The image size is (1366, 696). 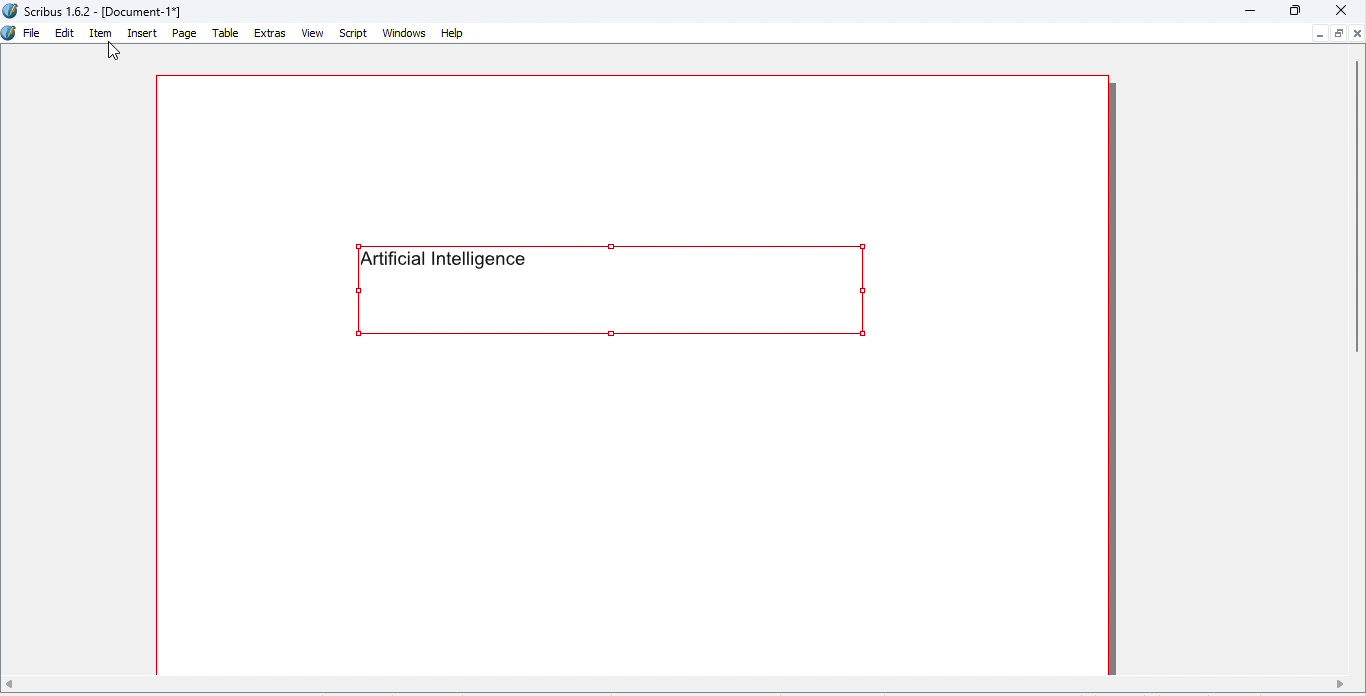 I want to click on Item, so click(x=102, y=35).